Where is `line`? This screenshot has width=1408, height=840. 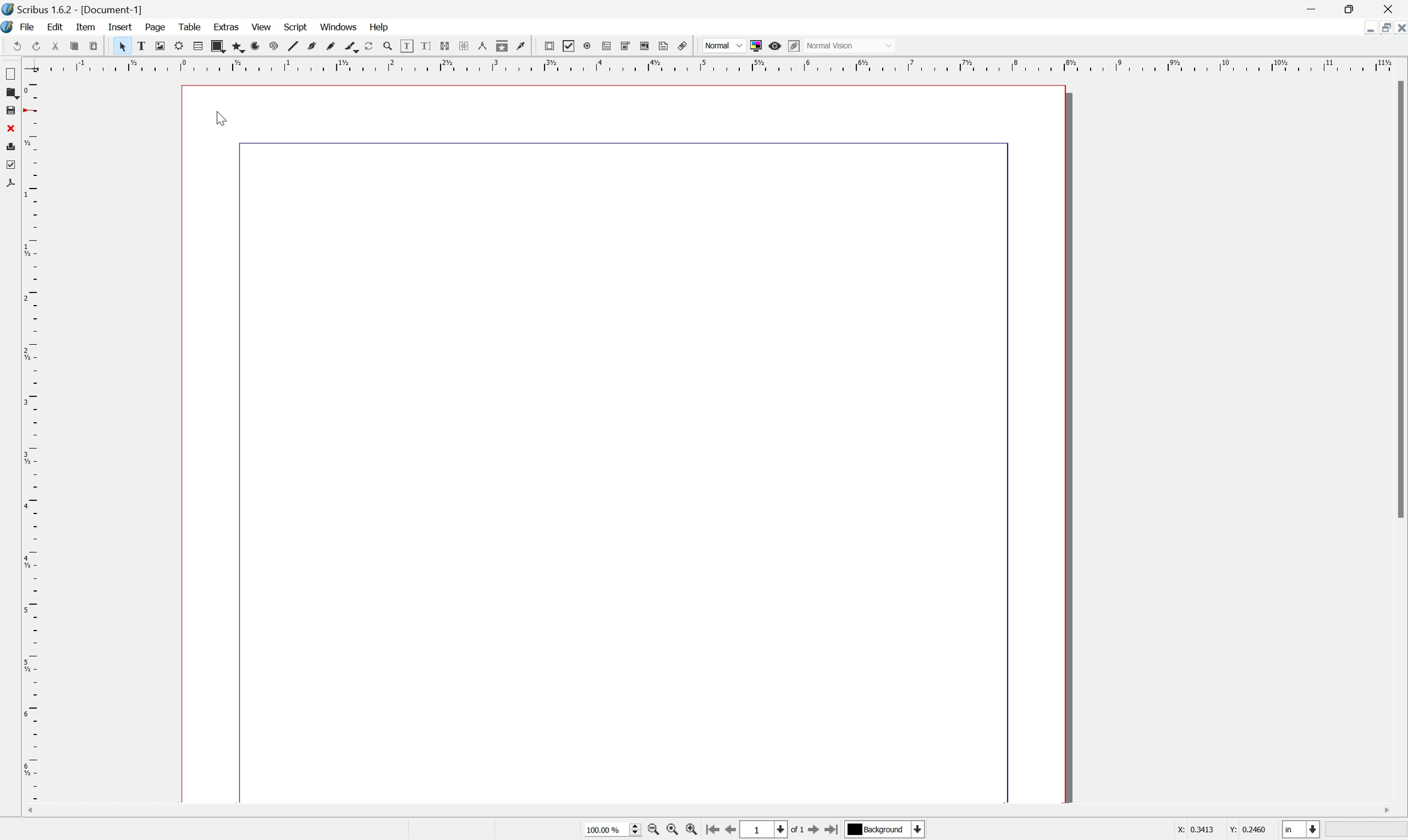
line is located at coordinates (425, 45).